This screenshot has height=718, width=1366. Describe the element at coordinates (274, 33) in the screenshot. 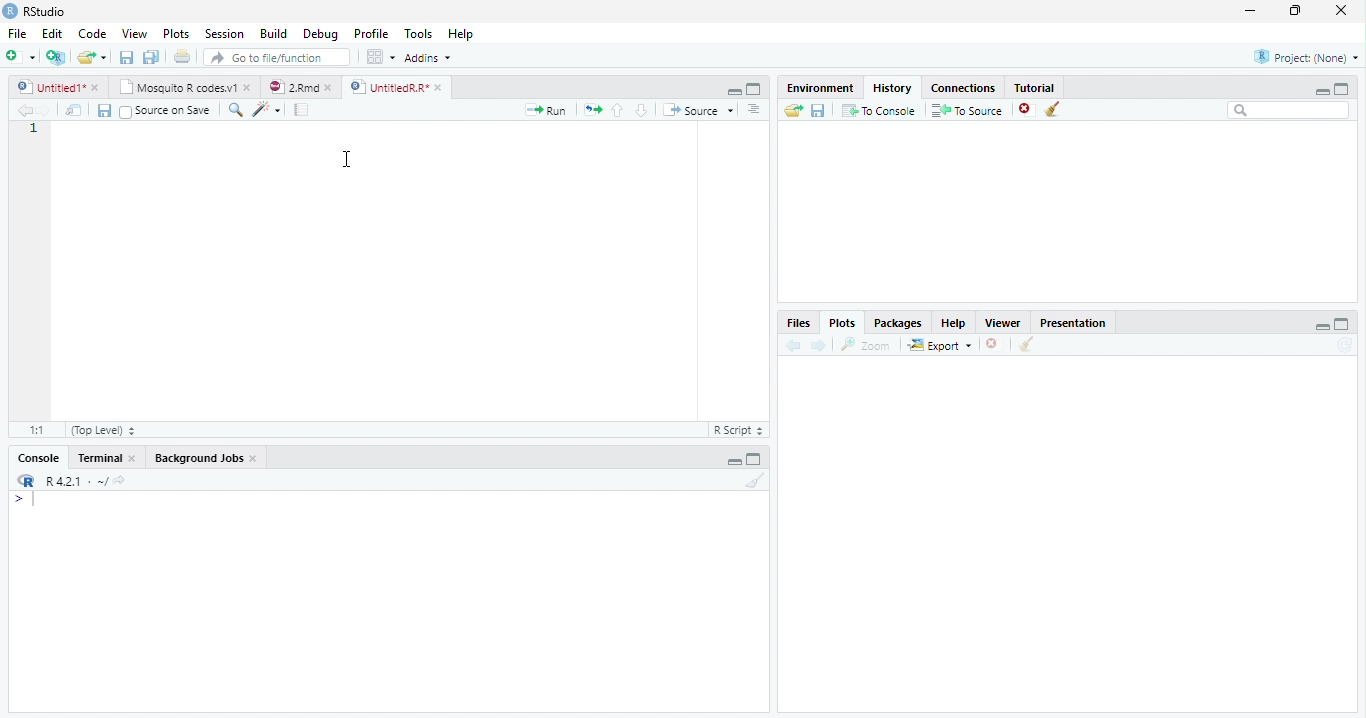

I see `Build` at that location.